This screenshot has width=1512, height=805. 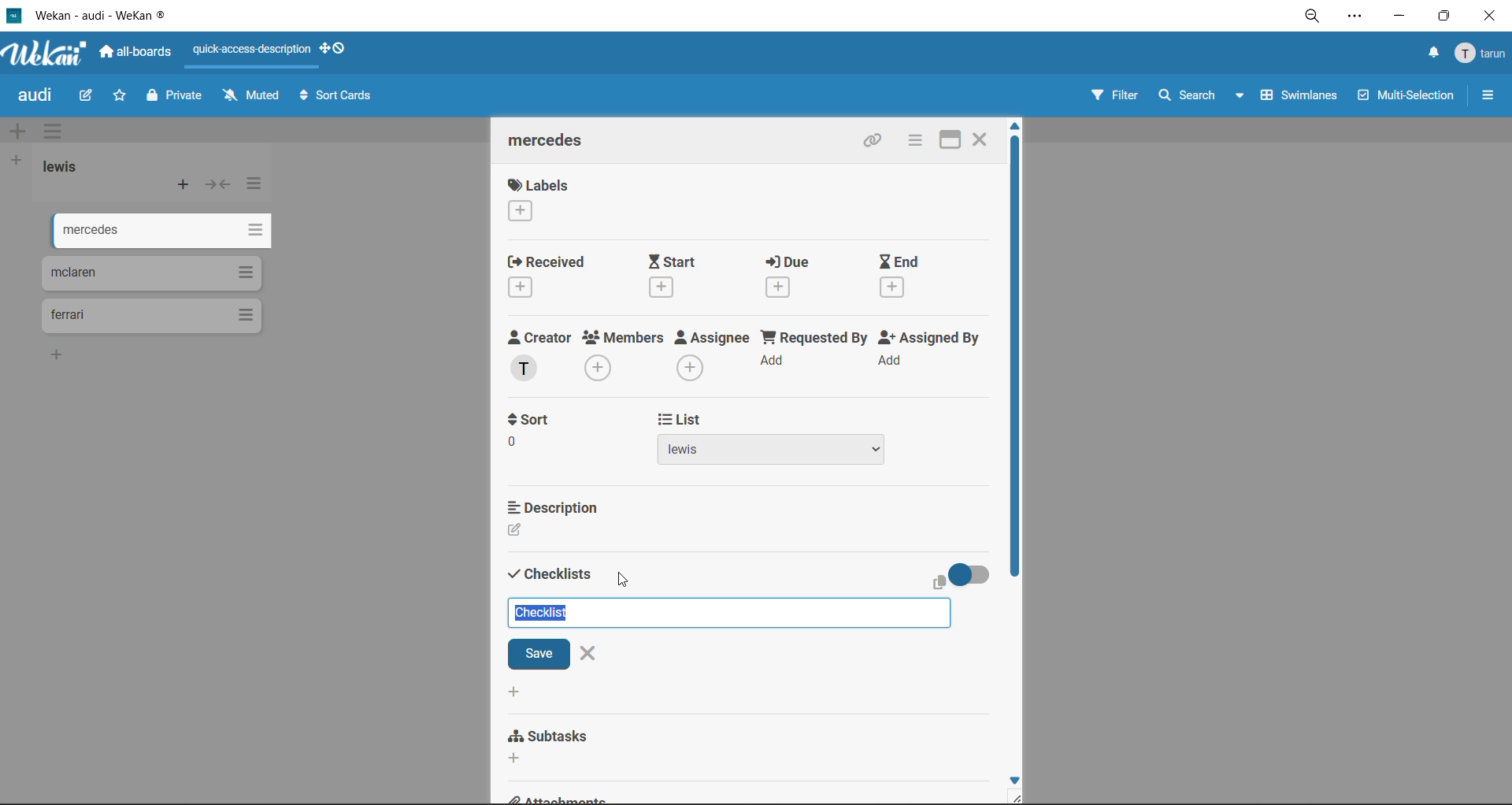 I want to click on hide completed checklist, so click(x=976, y=573).